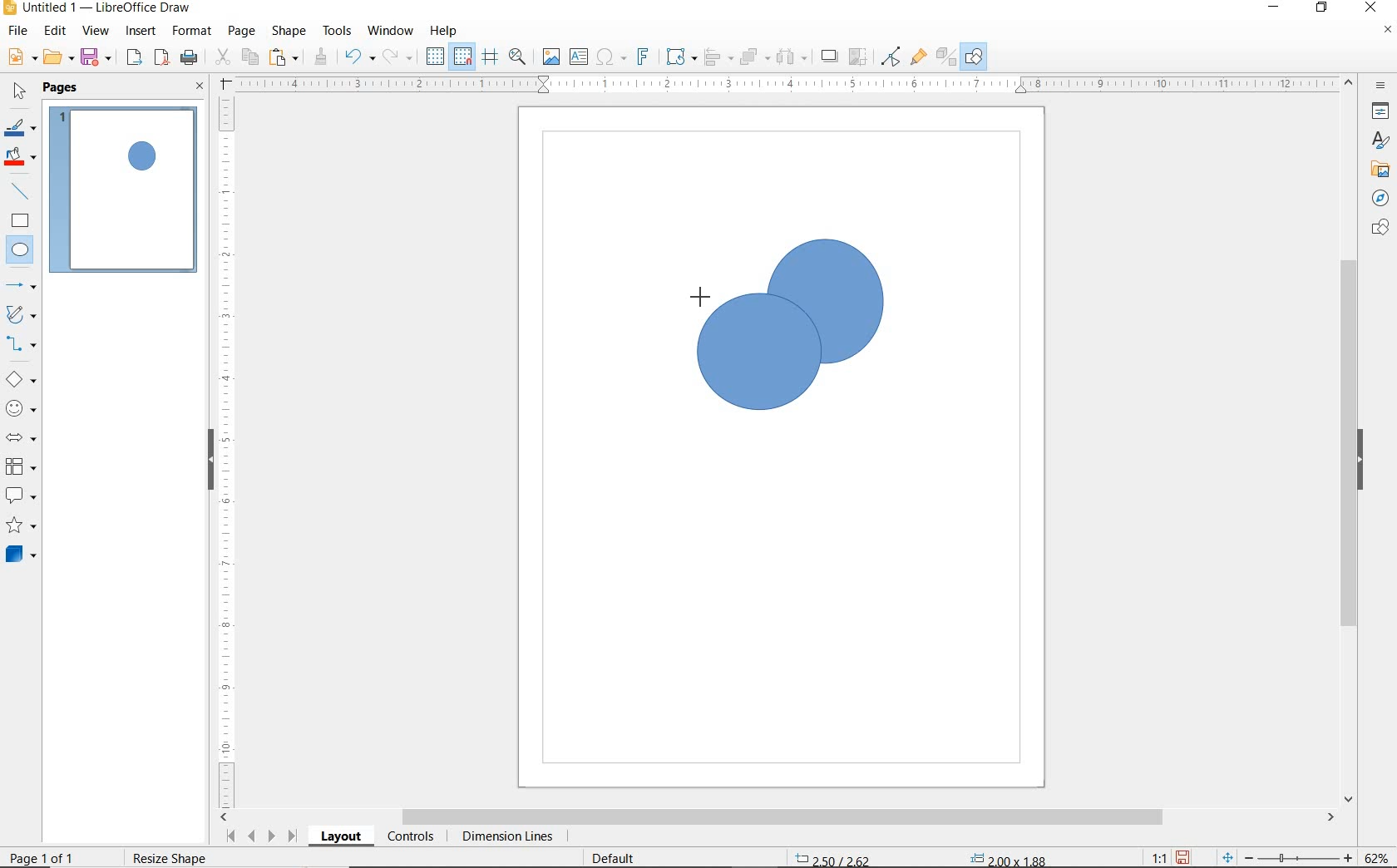 Image resolution: width=1397 pixels, height=868 pixels. What do you see at coordinates (921, 854) in the screenshot?
I see `STANDARD SELECTION` at bounding box center [921, 854].